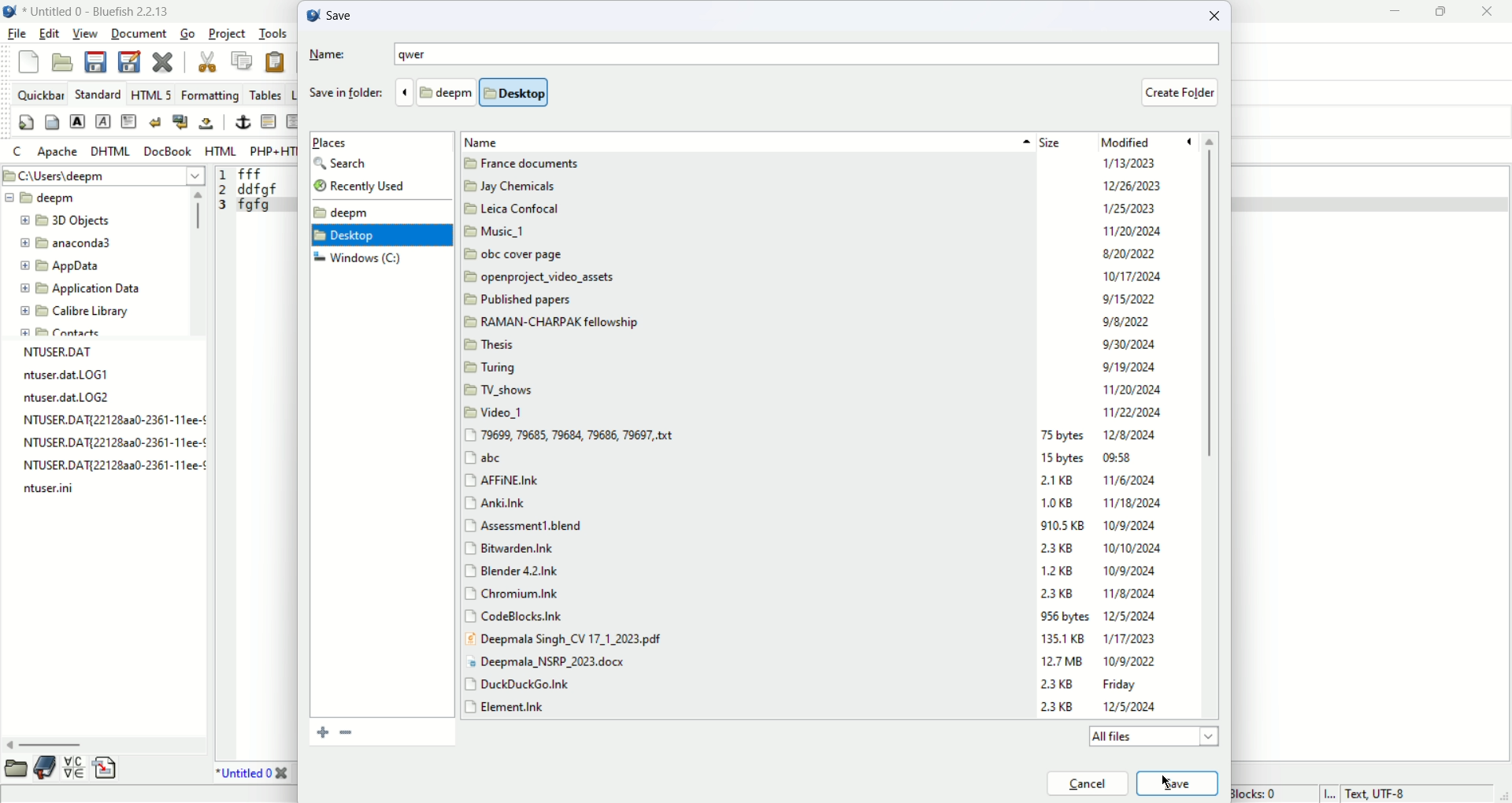  Describe the element at coordinates (139, 34) in the screenshot. I see `document` at that location.